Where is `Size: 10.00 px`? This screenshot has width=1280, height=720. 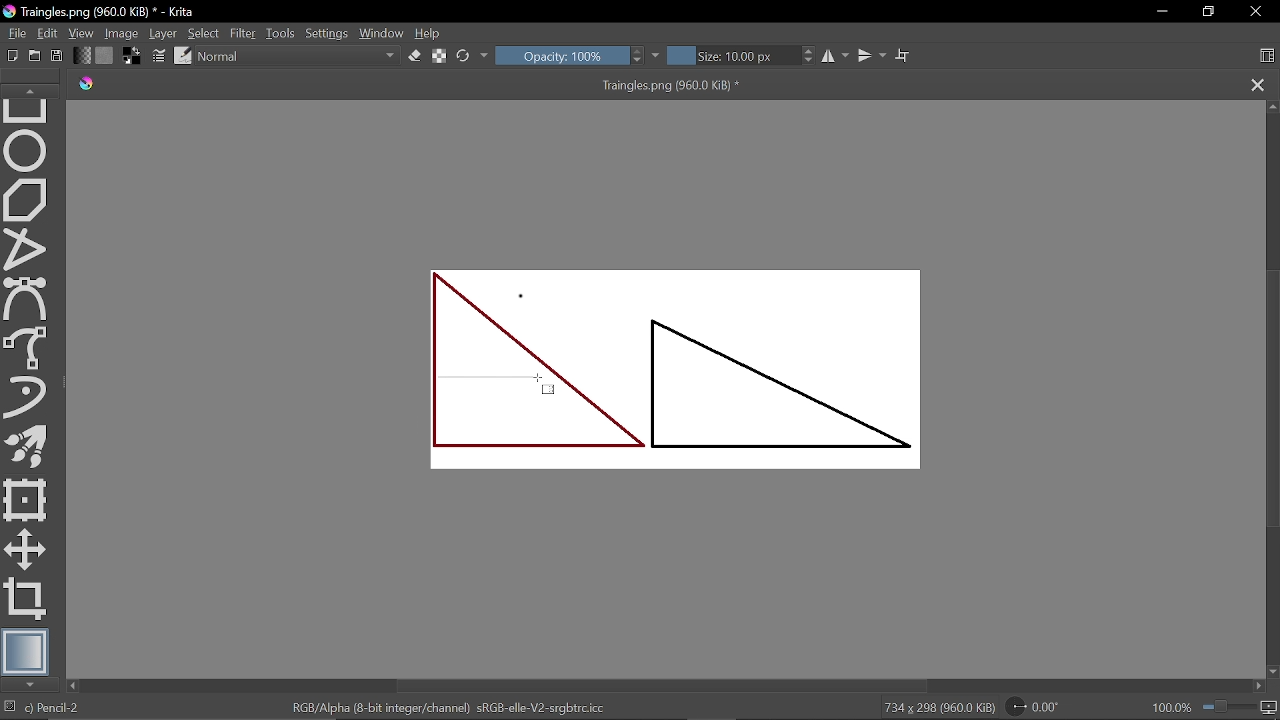 Size: 10.00 px is located at coordinates (731, 57).